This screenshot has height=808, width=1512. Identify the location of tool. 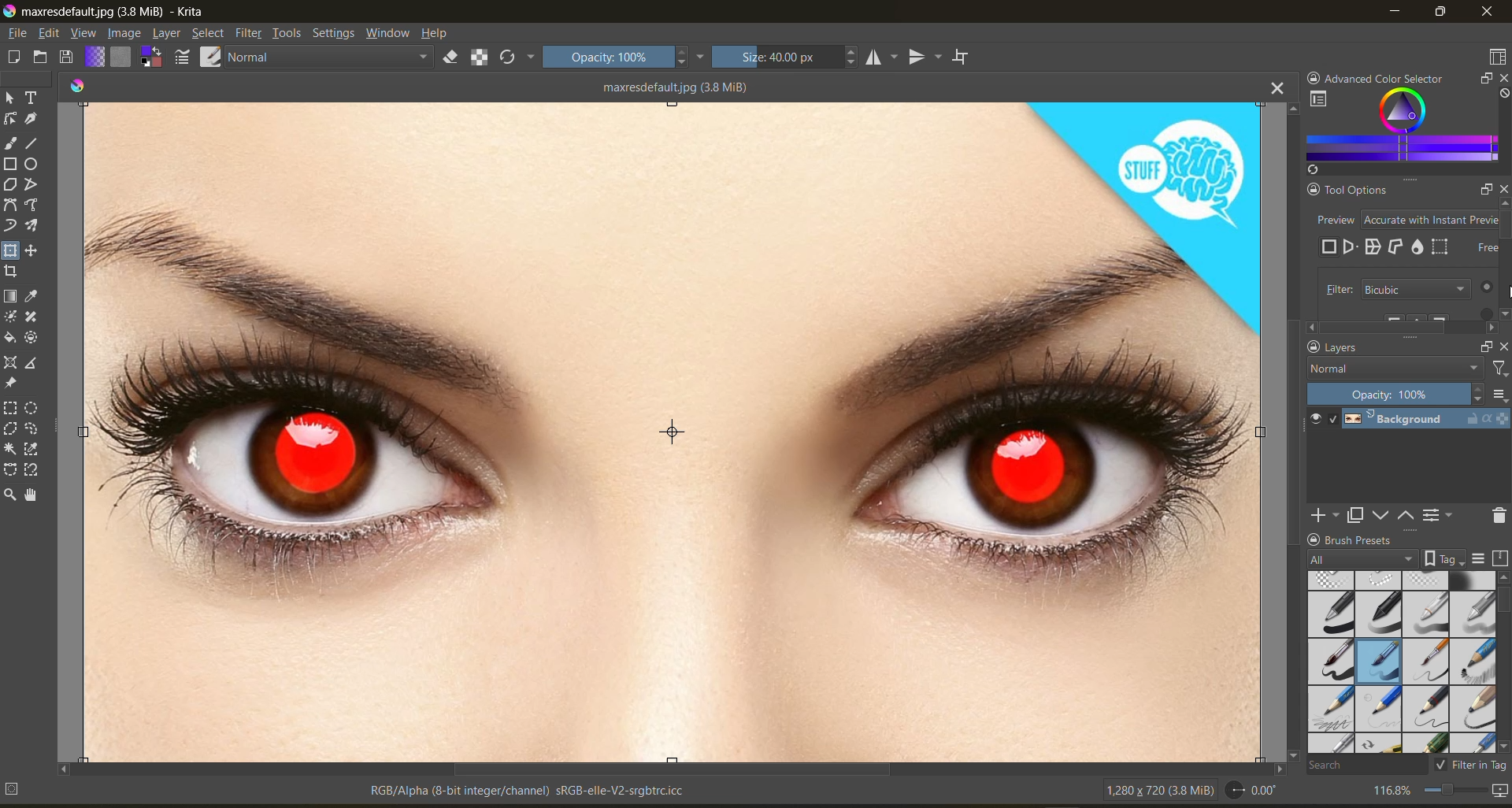
(10, 297).